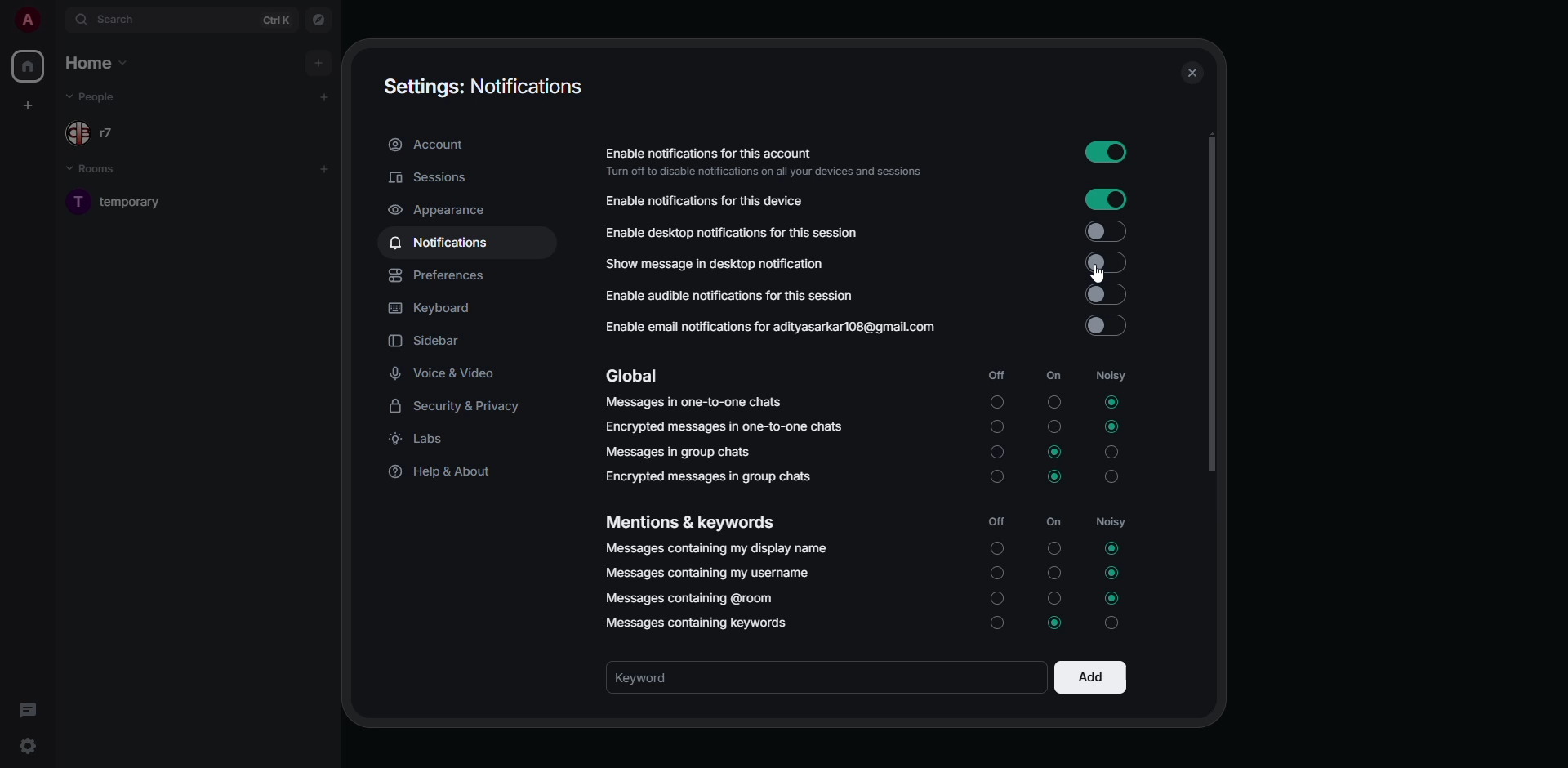 The image size is (1568, 768). What do you see at coordinates (727, 428) in the screenshot?
I see `encrypted messages in one on one chats` at bounding box center [727, 428].